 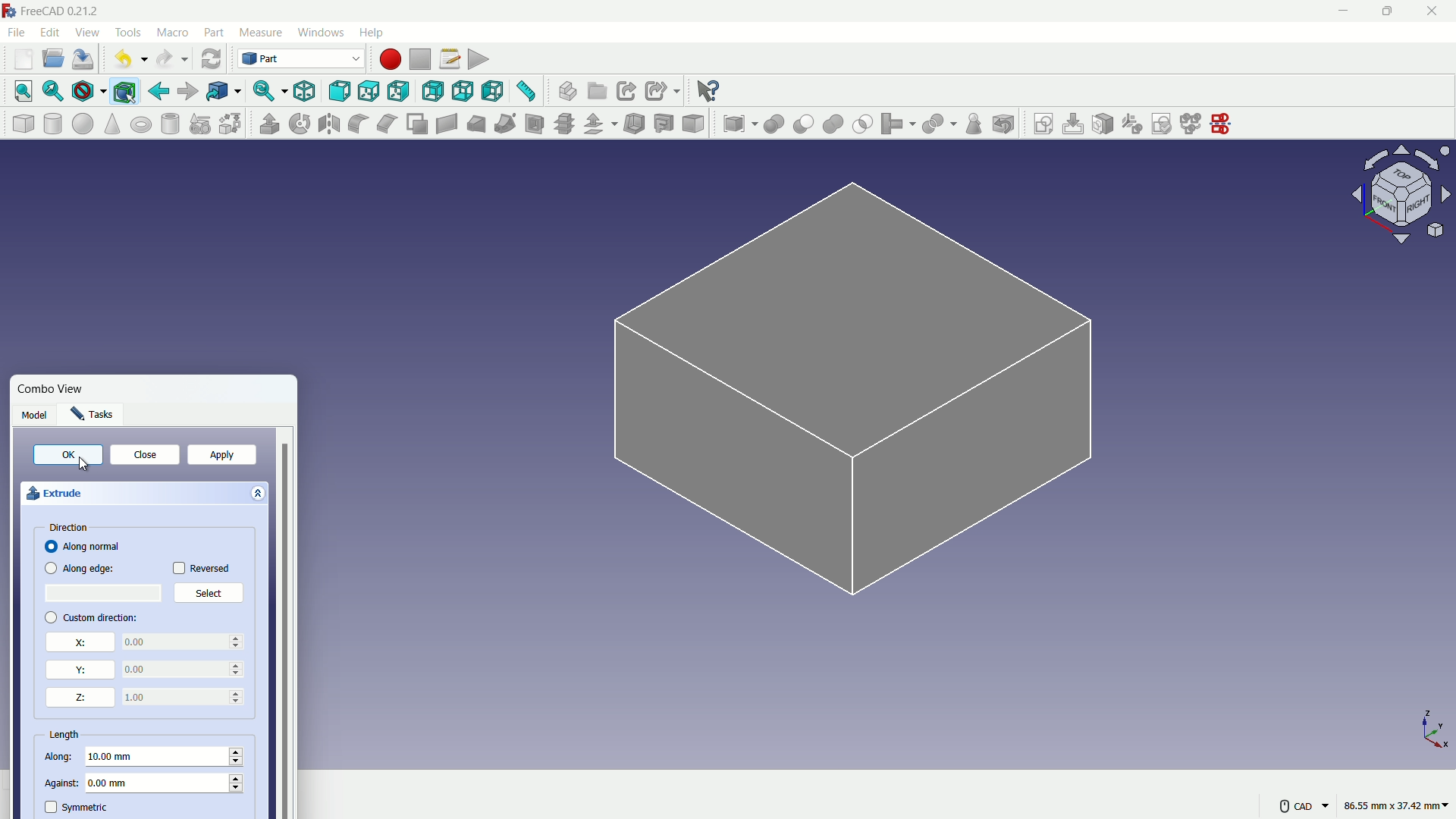 I want to click on bottom view, so click(x=463, y=90).